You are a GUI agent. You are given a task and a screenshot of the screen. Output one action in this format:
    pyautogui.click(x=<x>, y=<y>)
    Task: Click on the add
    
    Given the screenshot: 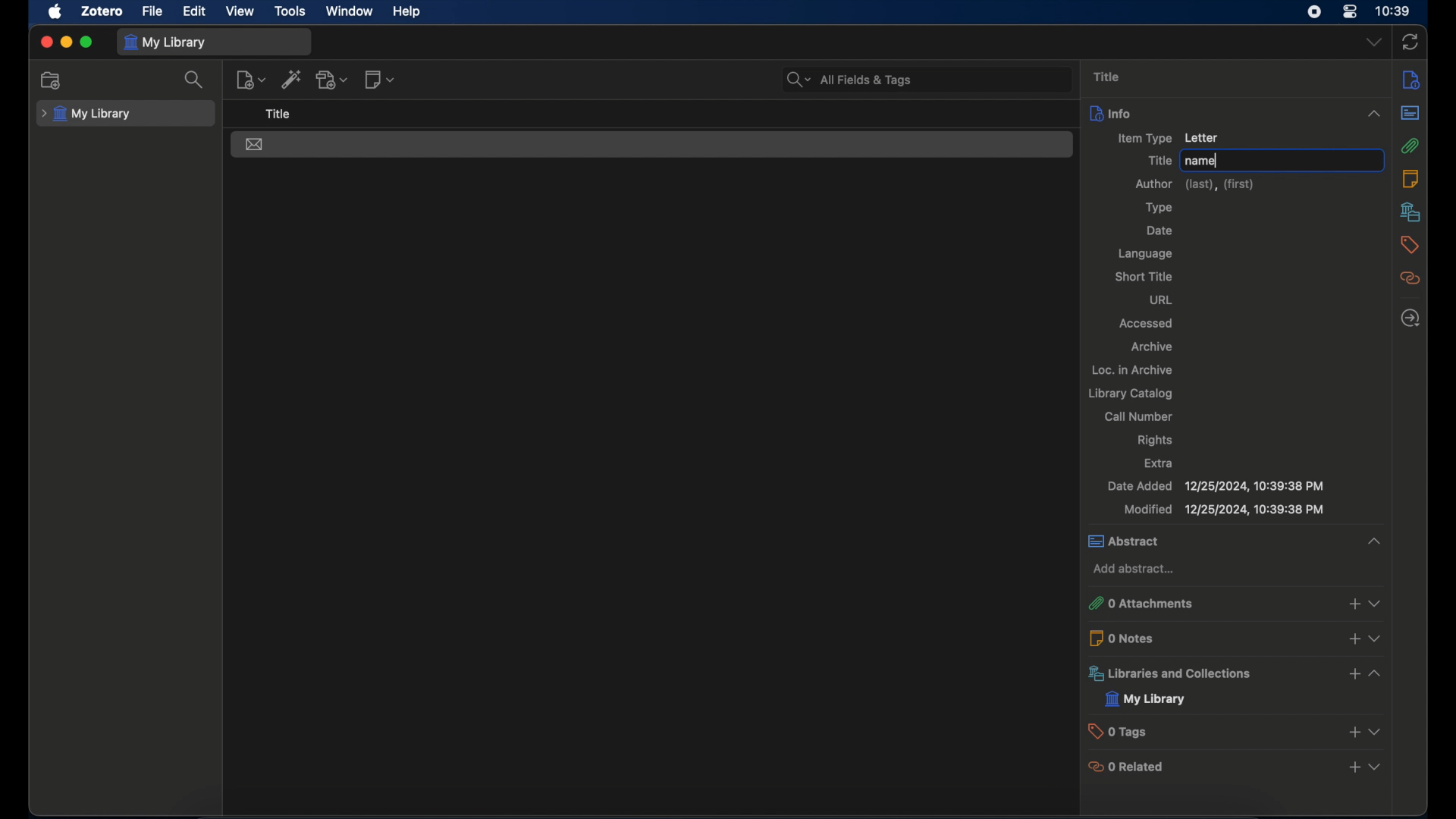 What is the action you would take?
    pyautogui.click(x=1353, y=731)
    